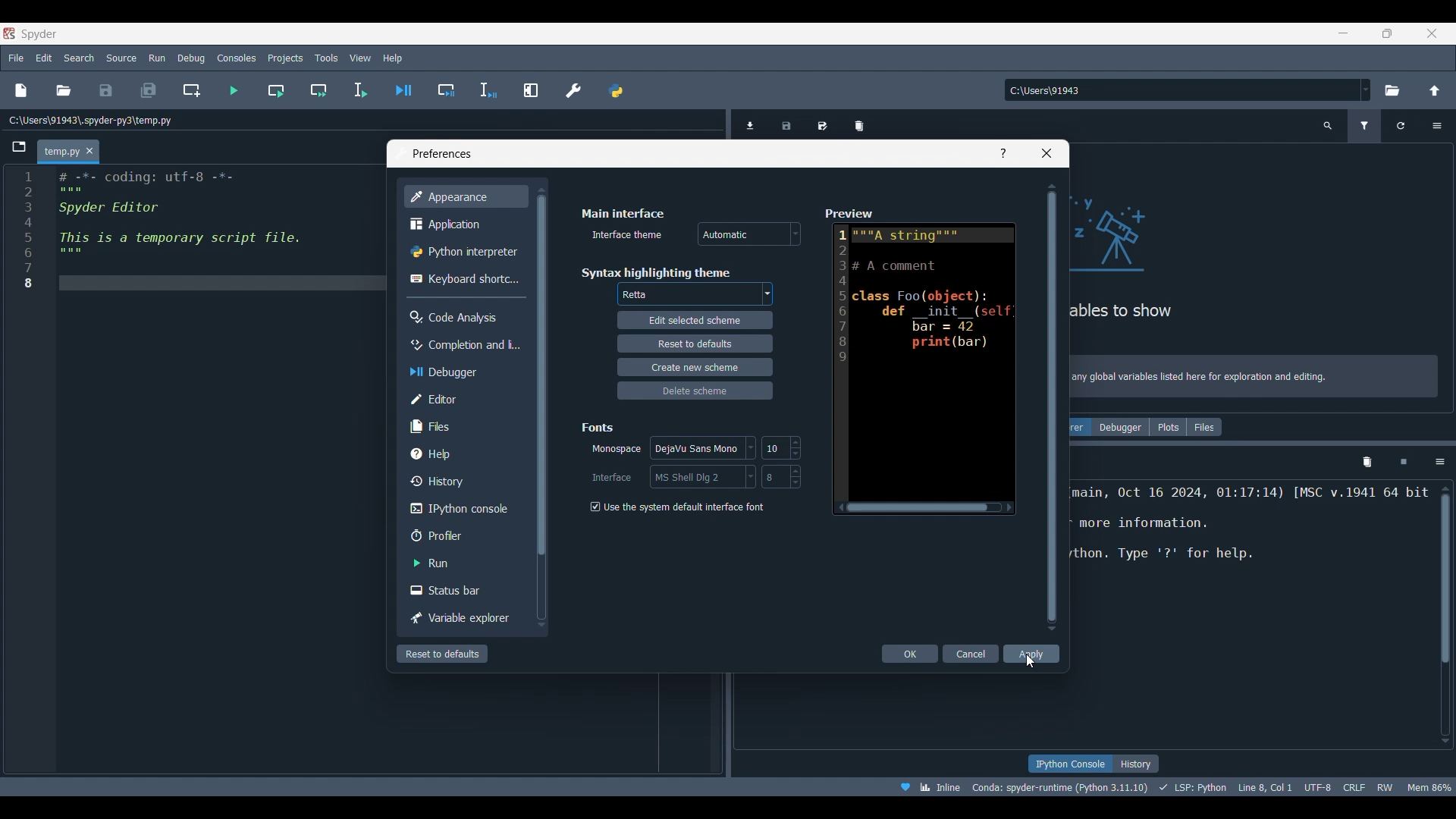 The image size is (1456, 819). Describe the element at coordinates (1366, 89) in the screenshot. I see `Location options` at that location.